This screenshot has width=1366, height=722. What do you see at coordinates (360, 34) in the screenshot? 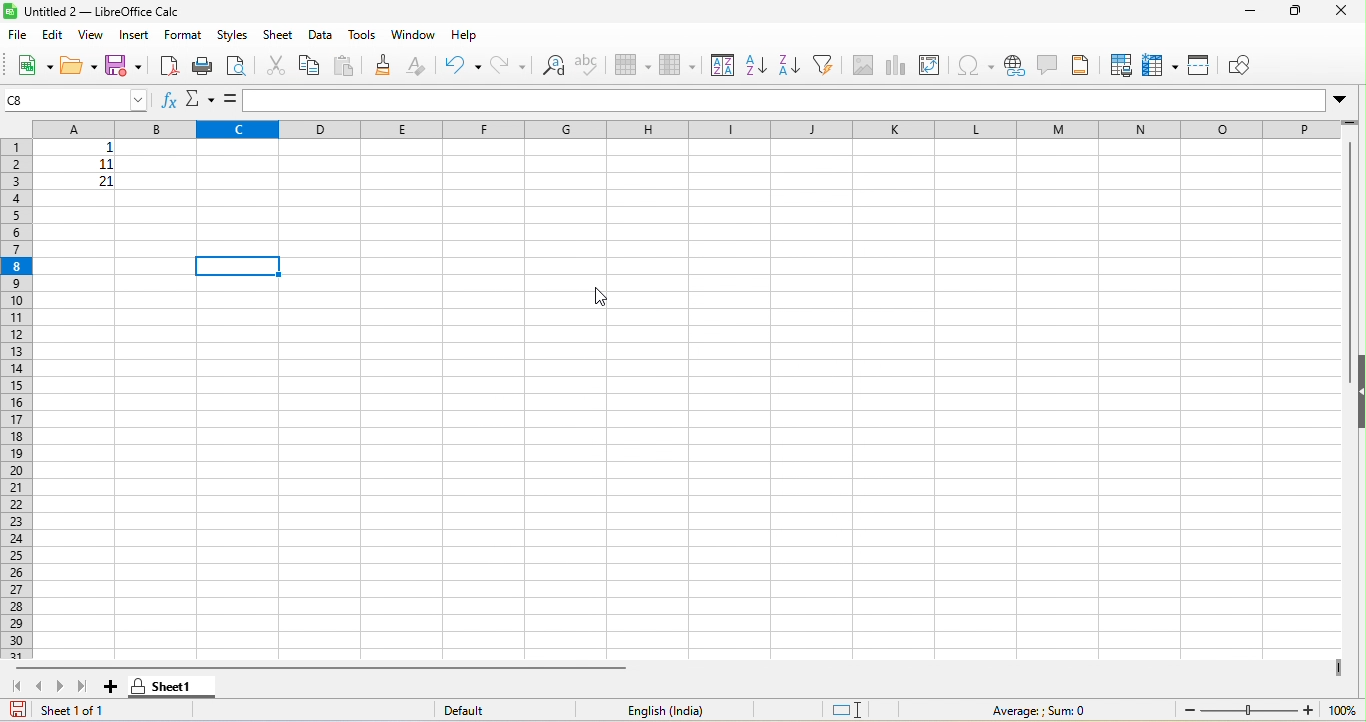
I see `tools` at bounding box center [360, 34].